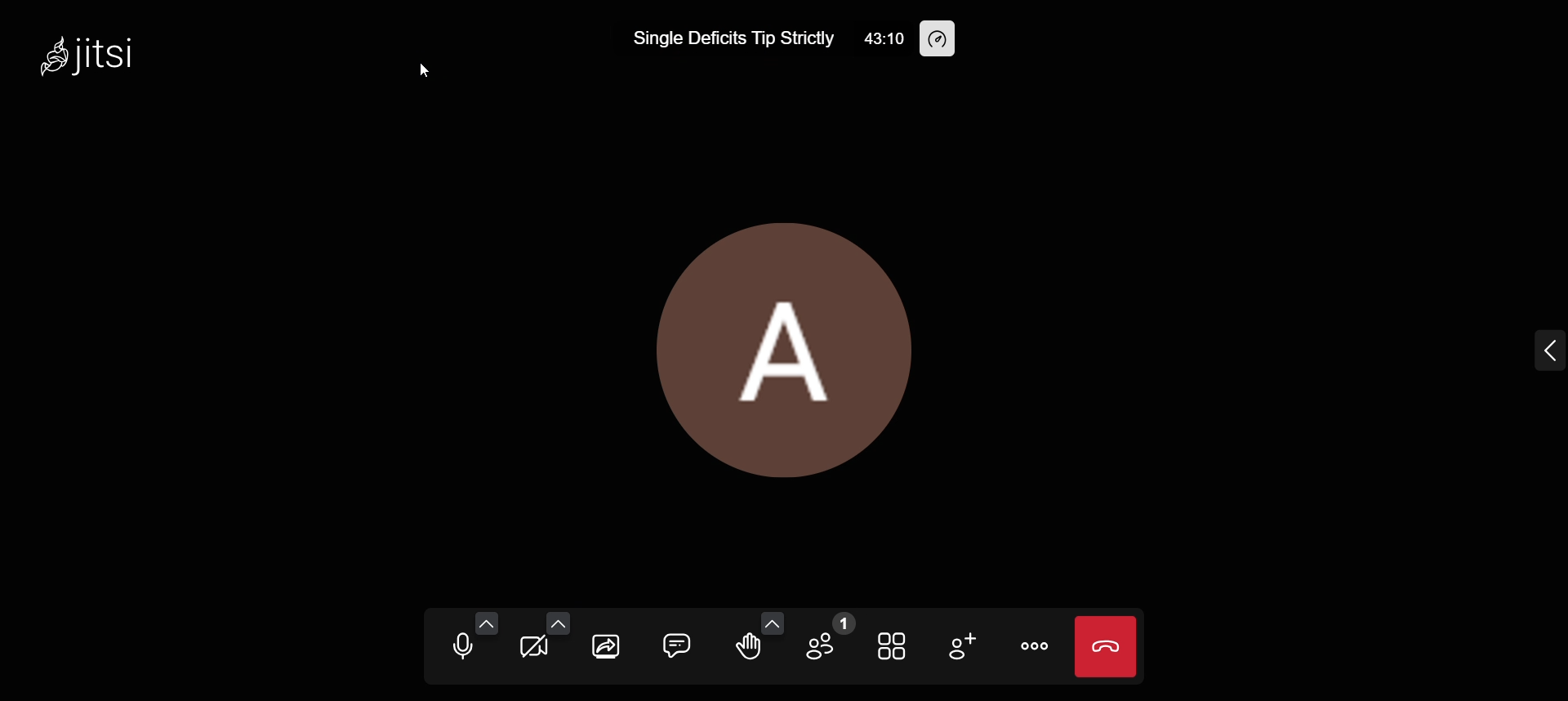  I want to click on 43:10, so click(884, 38).